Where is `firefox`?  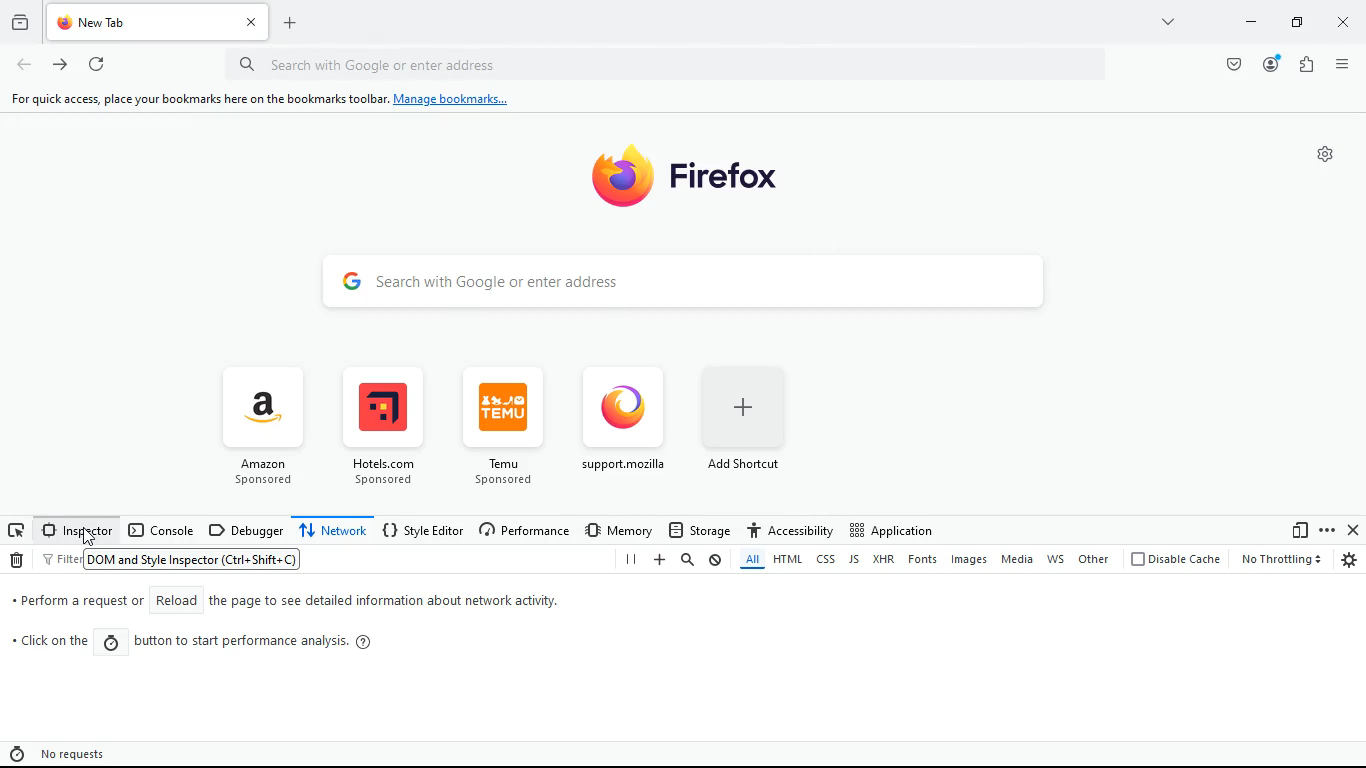
firefox is located at coordinates (716, 187).